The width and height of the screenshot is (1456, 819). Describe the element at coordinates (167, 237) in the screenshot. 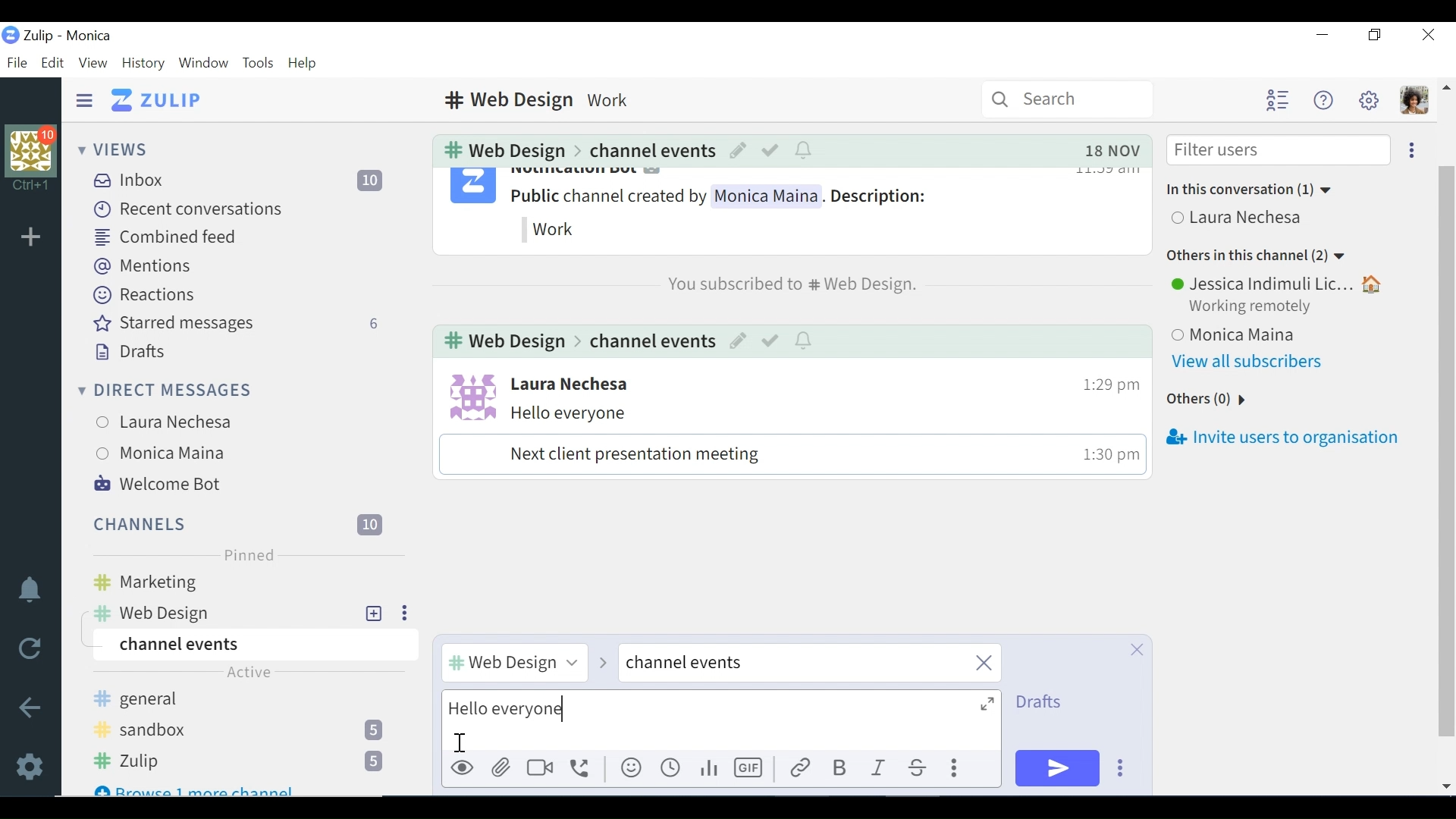

I see `Combined feed` at that location.